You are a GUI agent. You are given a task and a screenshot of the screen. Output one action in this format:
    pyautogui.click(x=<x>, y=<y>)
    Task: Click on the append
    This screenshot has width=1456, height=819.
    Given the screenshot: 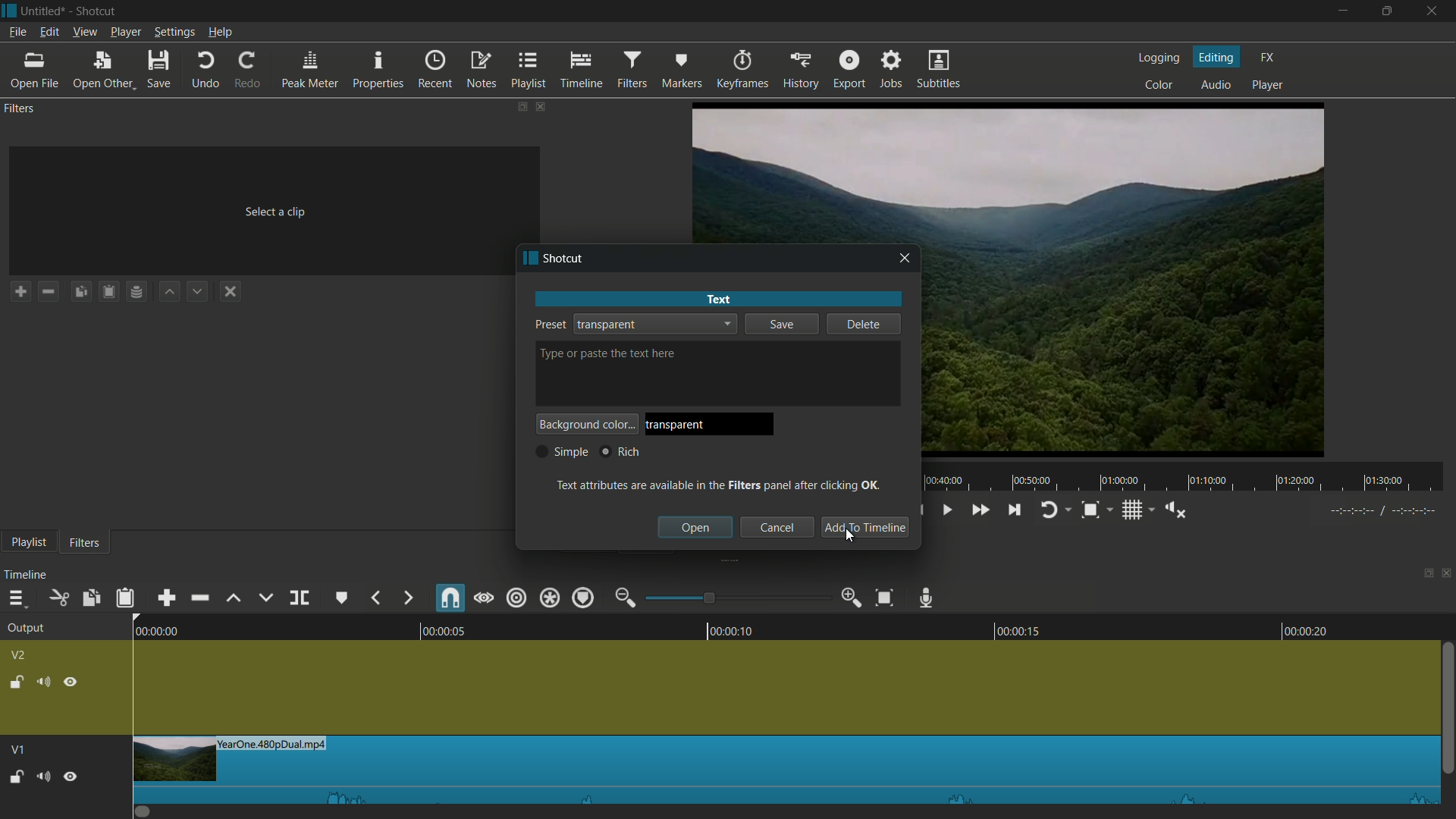 What is the action you would take?
    pyautogui.click(x=163, y=598)
    